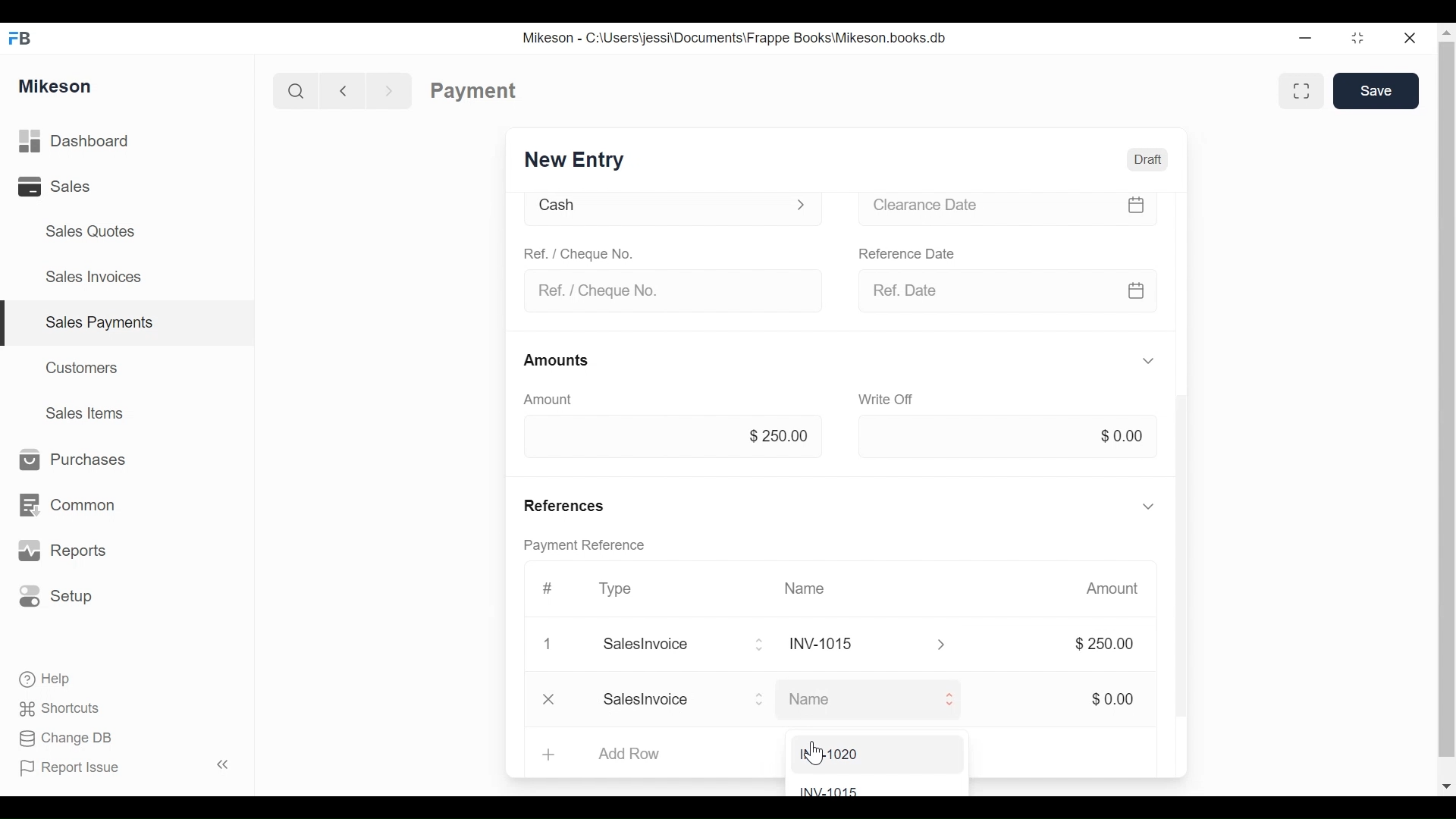  What do you see at coordinates (663, 701) in the screenshot?
I see `Add Row` at bounding box center [663, 701].